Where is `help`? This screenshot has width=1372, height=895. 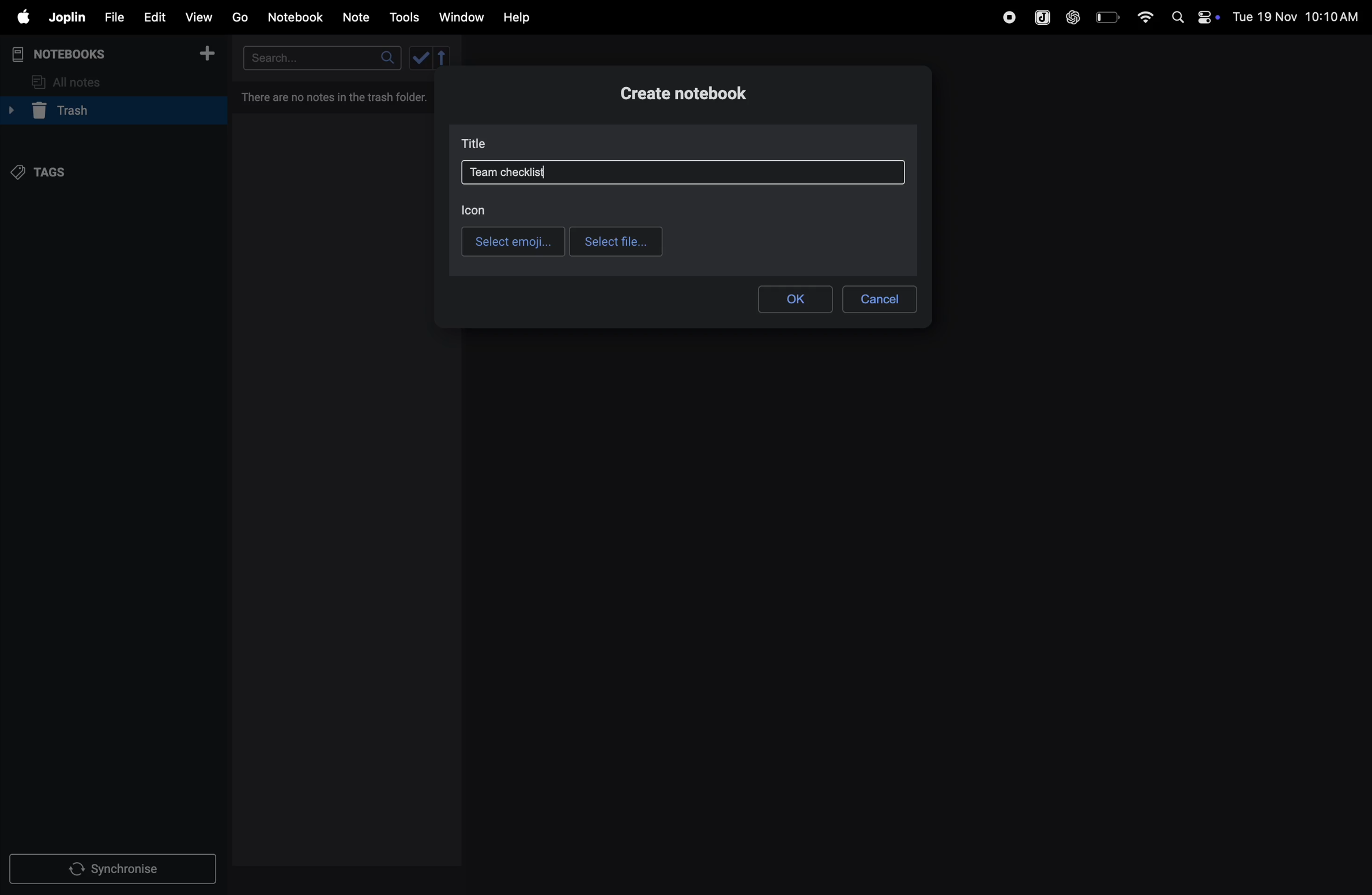 help is located at coordinates (520, 17).